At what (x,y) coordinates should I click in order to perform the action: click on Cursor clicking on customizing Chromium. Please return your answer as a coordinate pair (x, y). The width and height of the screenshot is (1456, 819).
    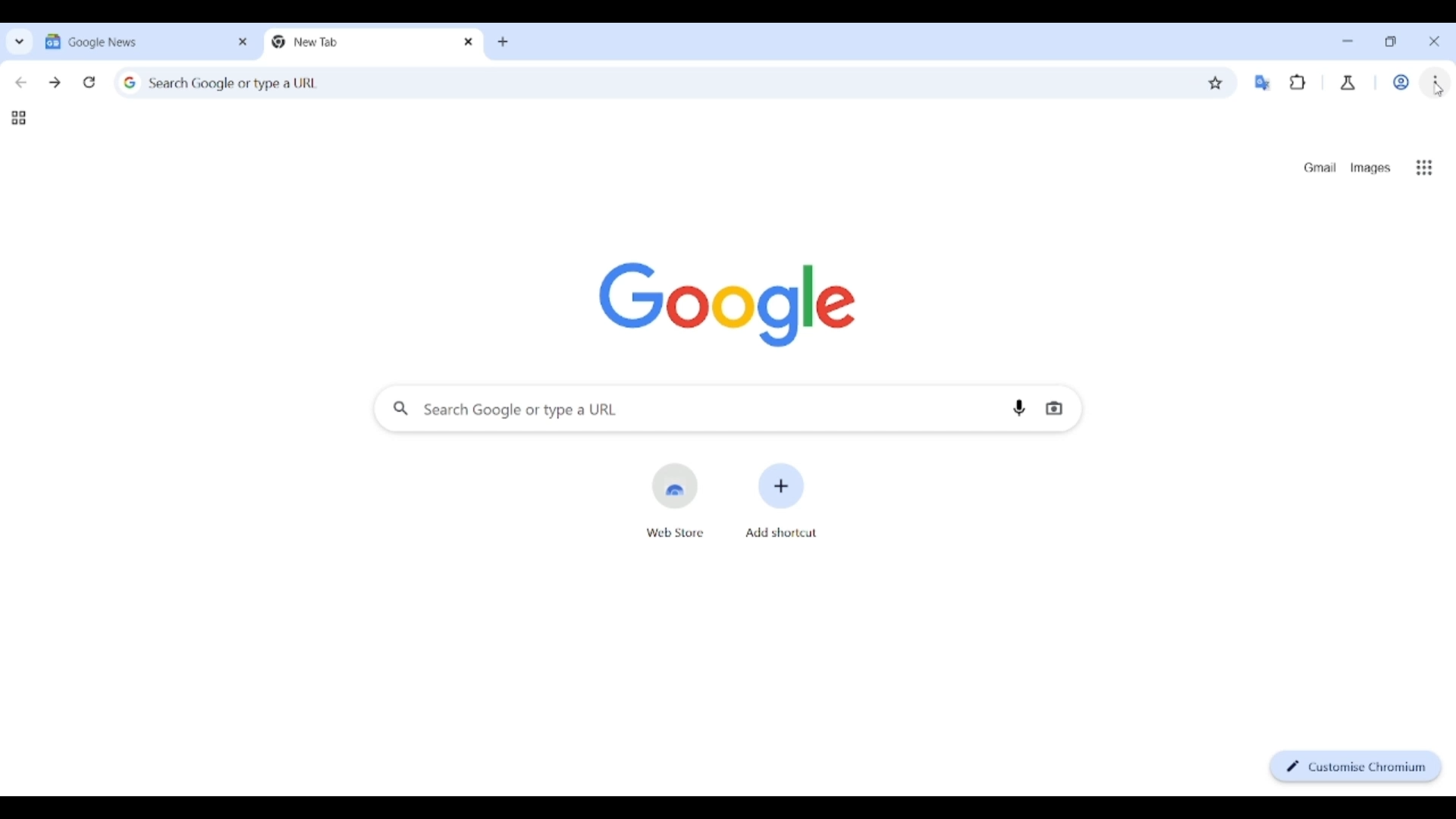
    Looking at the image, I should click on (1439, 89).